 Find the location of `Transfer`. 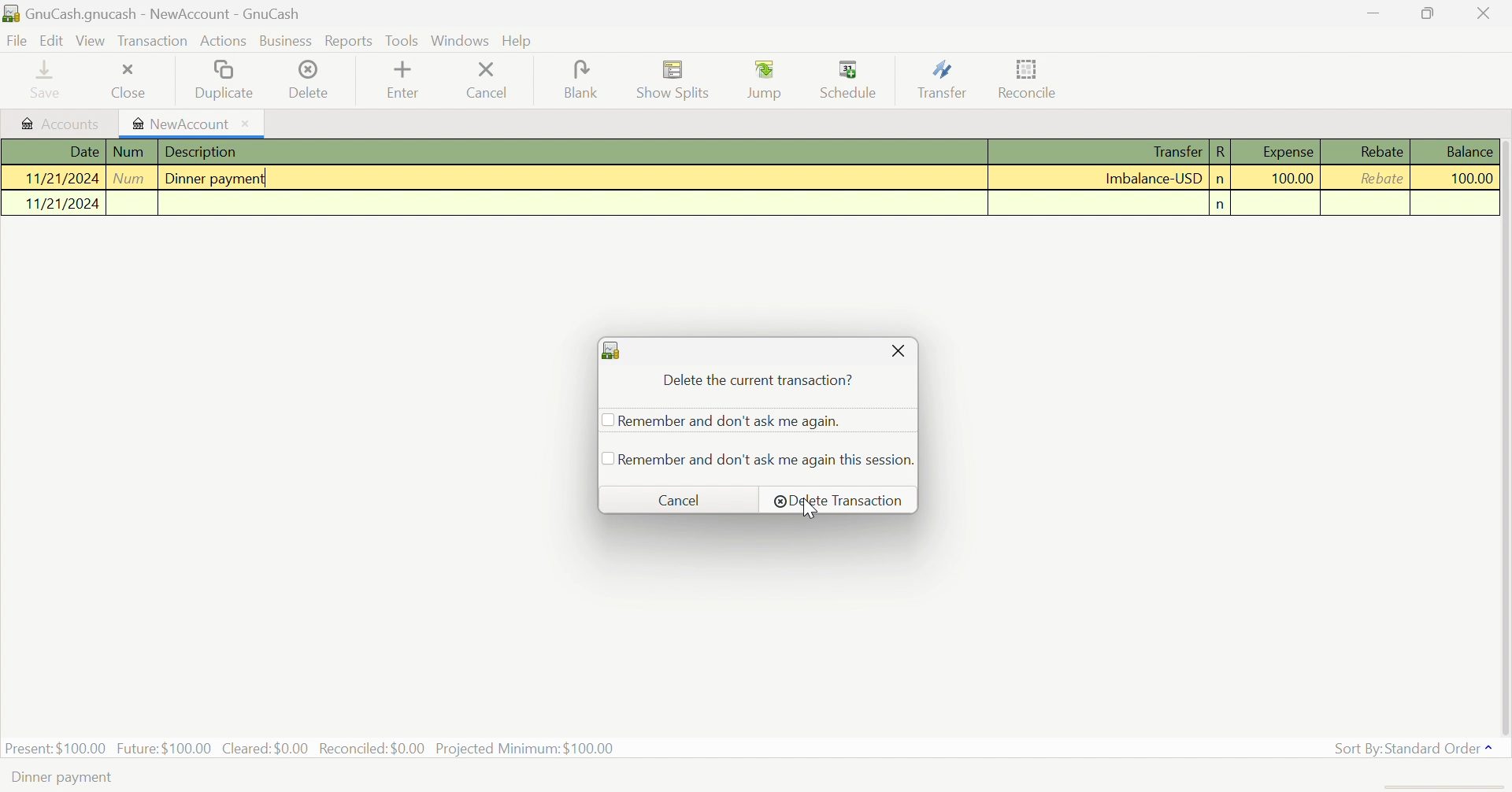

Transfer is located at coordinates (1176, 153).